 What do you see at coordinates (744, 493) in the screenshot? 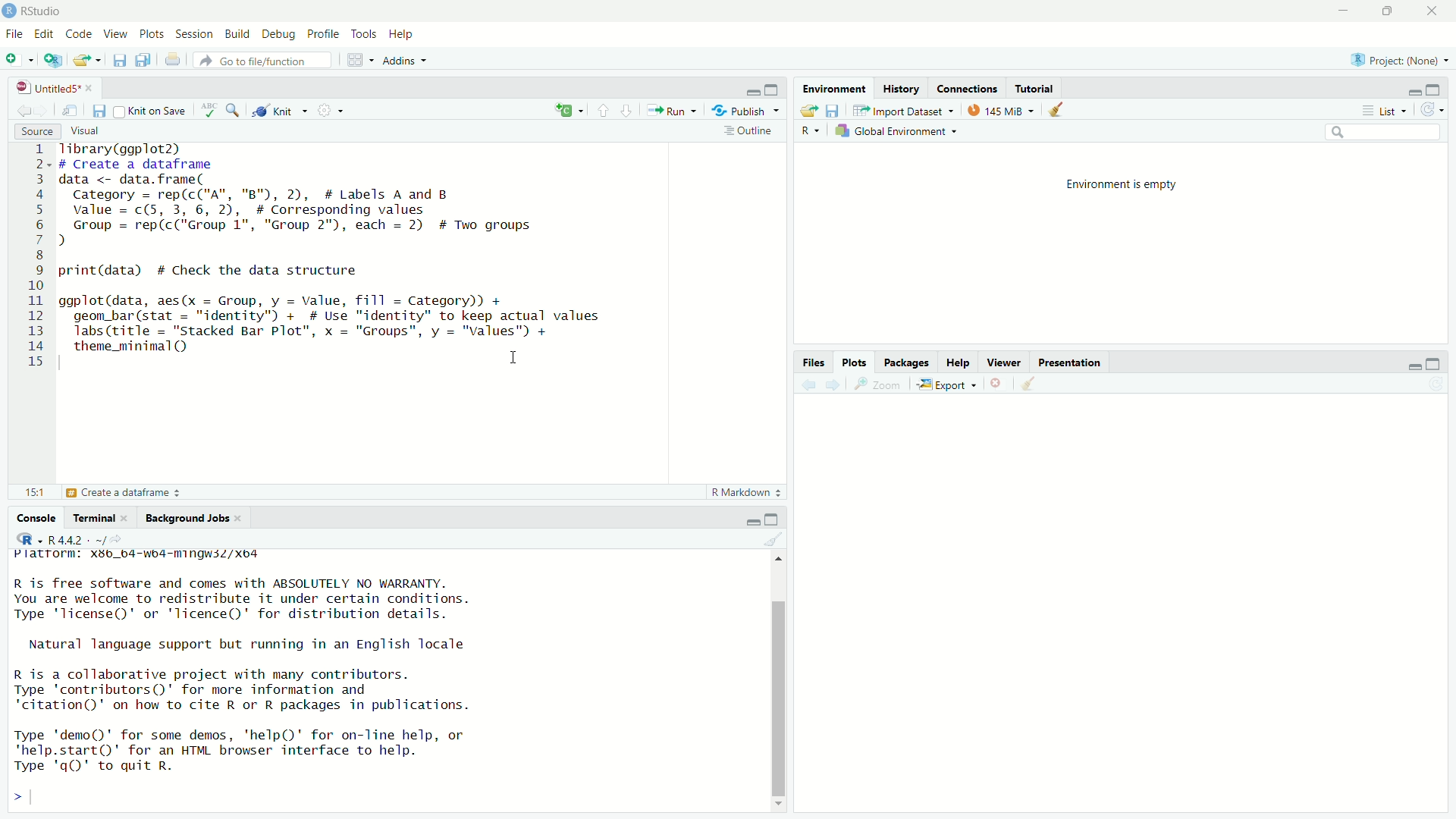
I see `R Markdown 2` at bounding box center [744, 493].